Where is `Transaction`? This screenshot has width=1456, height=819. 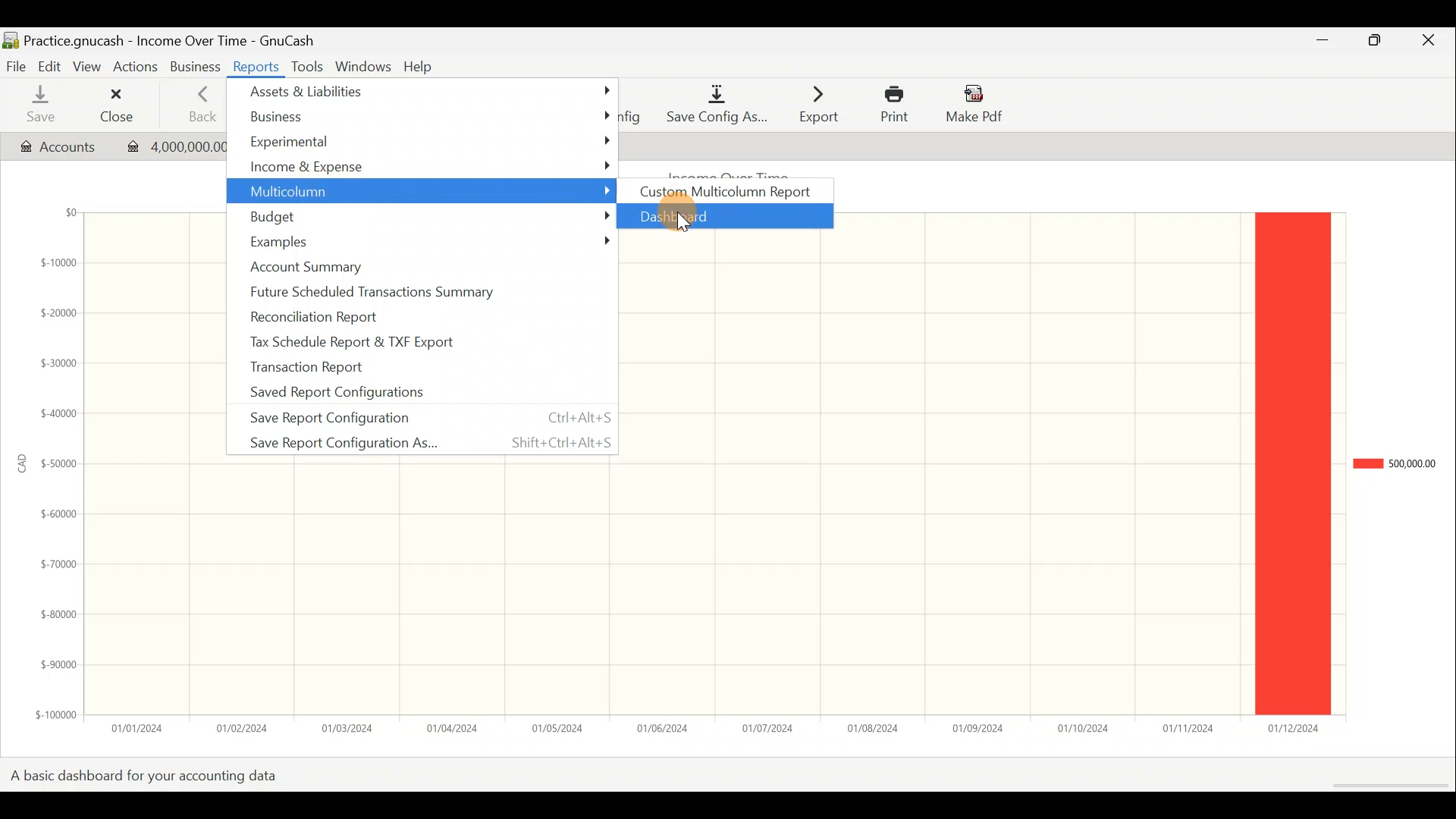
Transaction is located at coordinates (174, 145).